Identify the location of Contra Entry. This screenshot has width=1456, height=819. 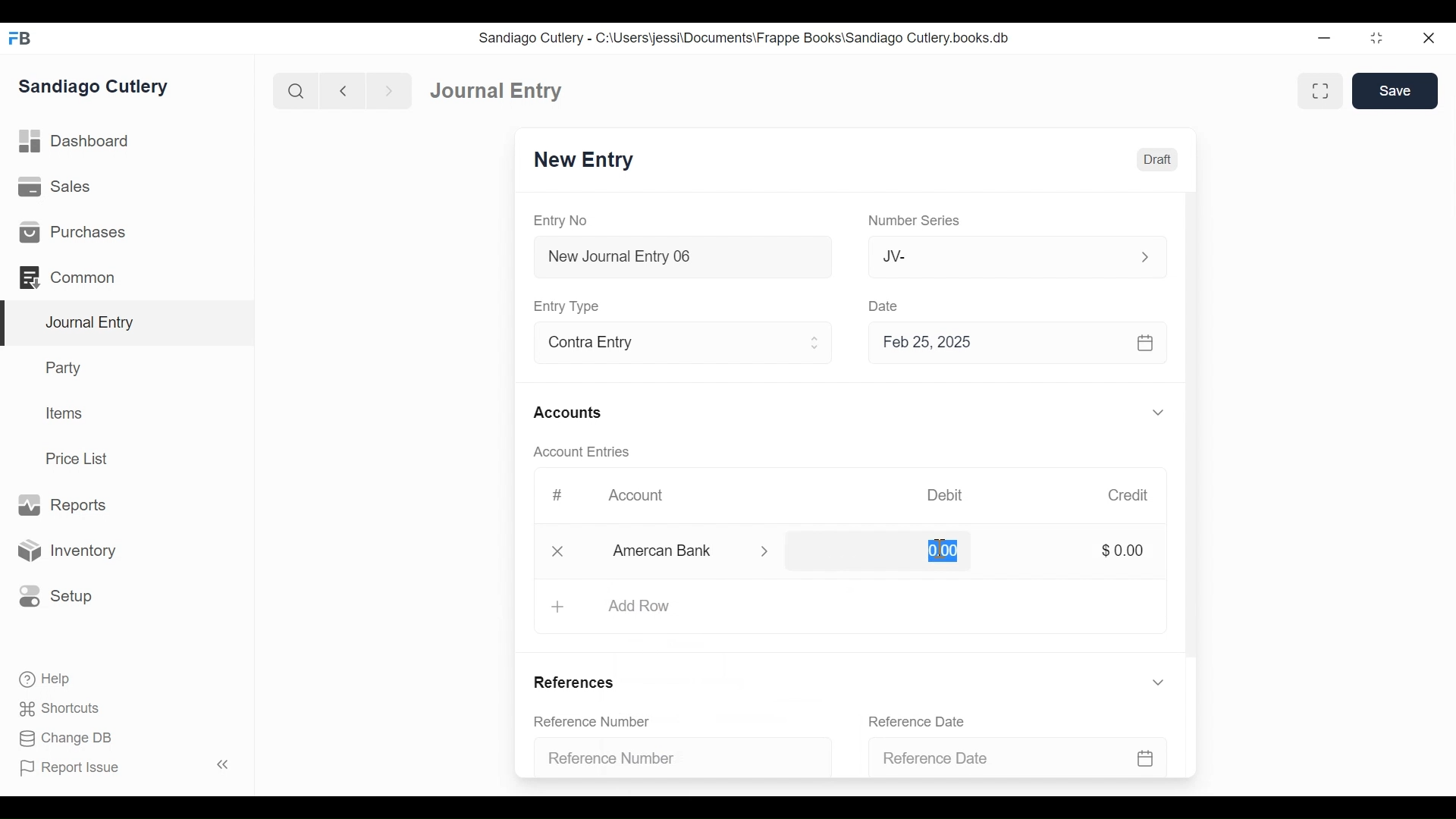
(658, 344).